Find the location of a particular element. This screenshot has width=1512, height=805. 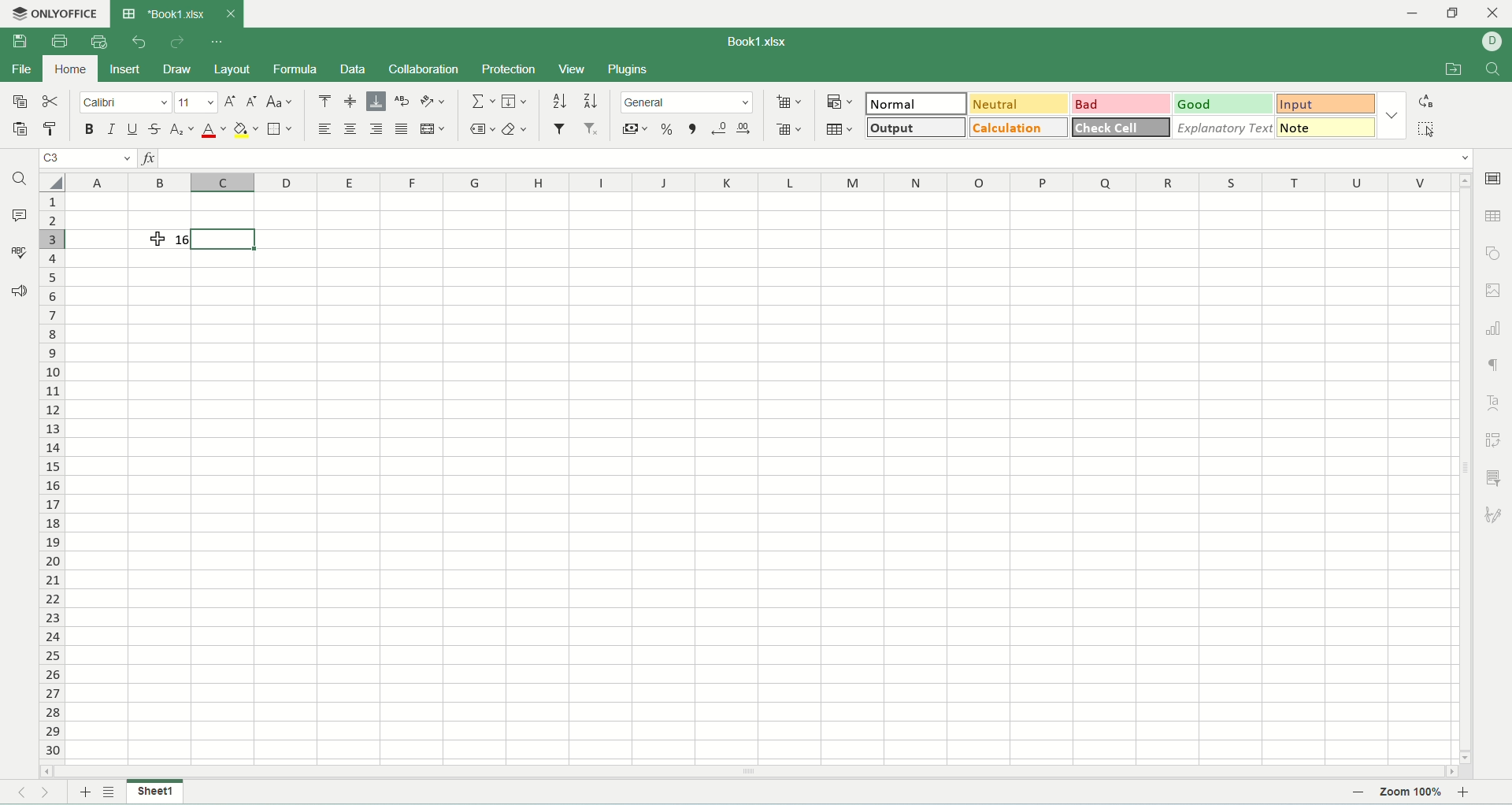

raplace is located at coordinates (1429, 101).